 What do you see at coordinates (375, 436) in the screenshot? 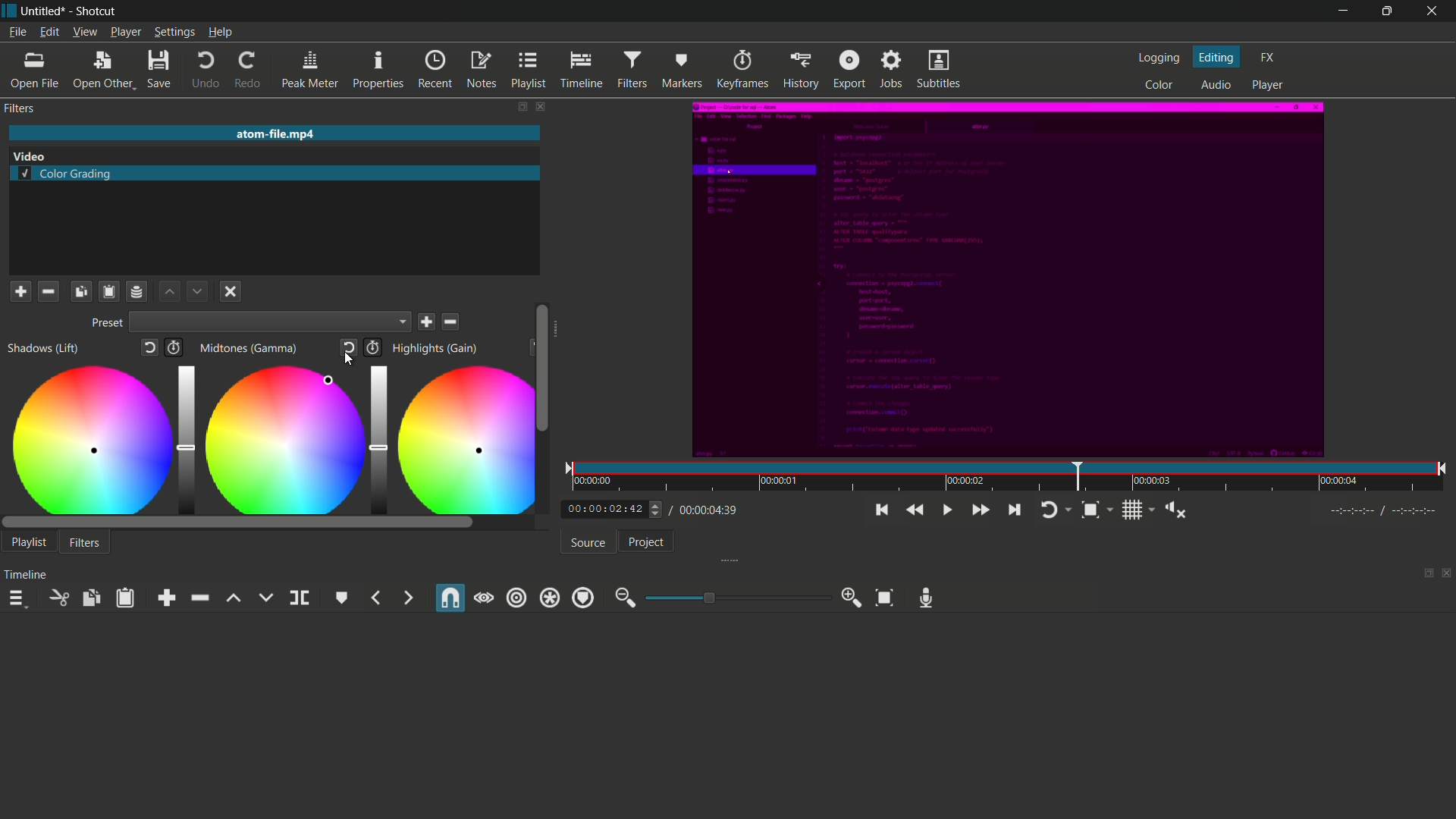
I see `adjustment bar` at bounding box center [375, 436].